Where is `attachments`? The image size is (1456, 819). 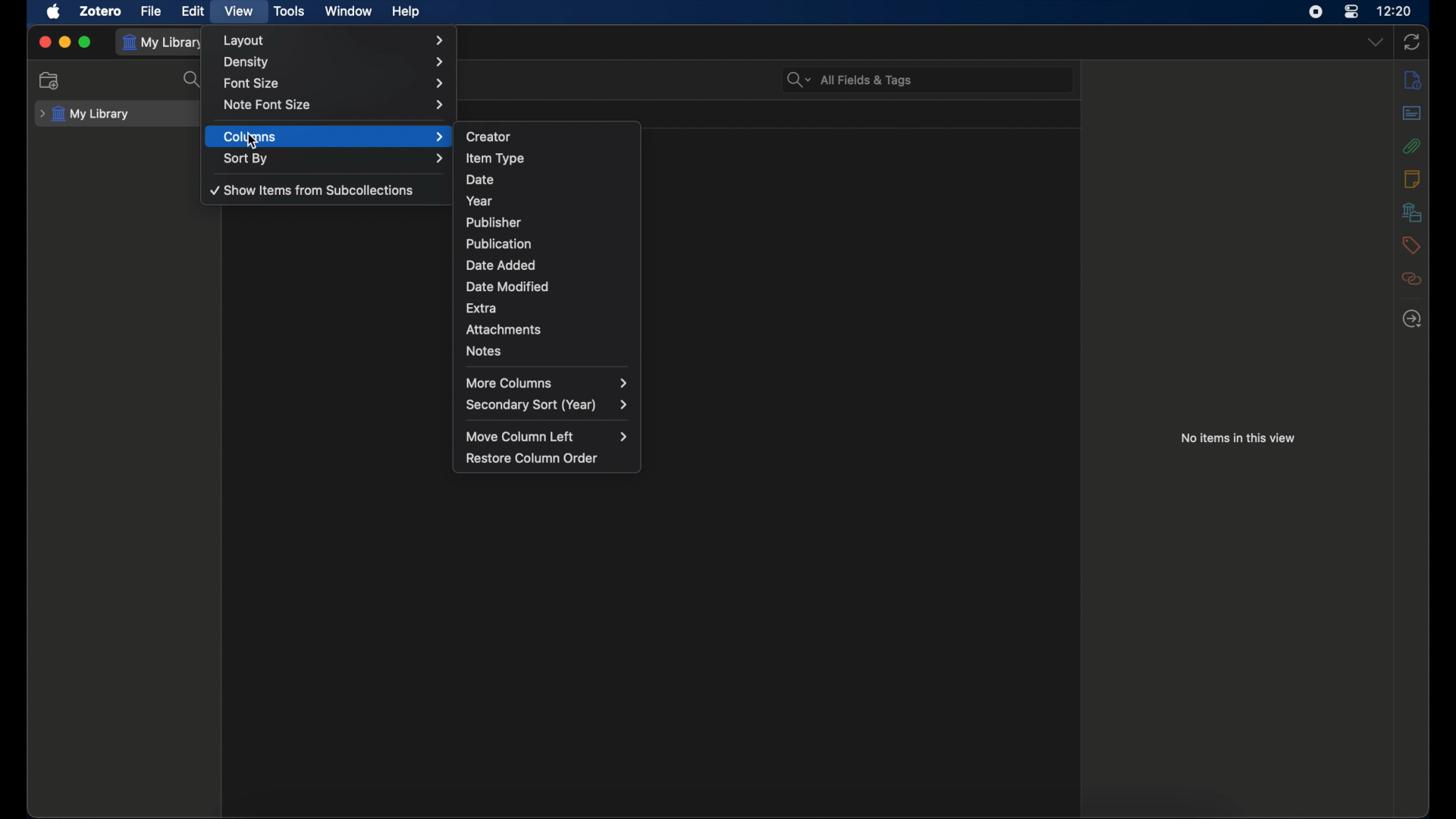 attachments is located at coordinates (504, 328).